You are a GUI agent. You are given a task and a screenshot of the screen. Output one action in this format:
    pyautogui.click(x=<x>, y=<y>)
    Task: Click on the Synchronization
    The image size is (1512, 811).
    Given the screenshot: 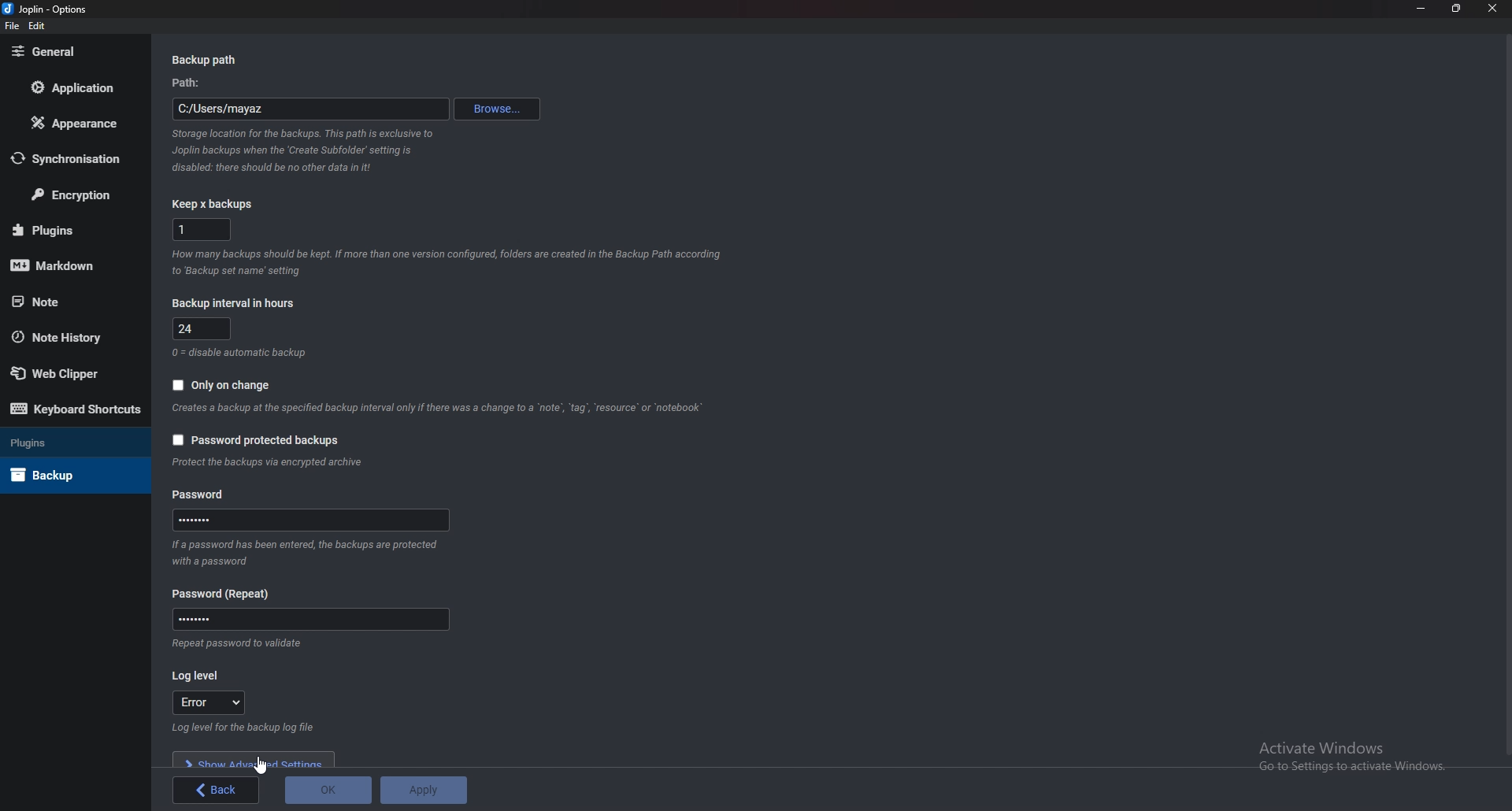 What is the action you would take?
    pyautogui.click(x=71, y=157)
    